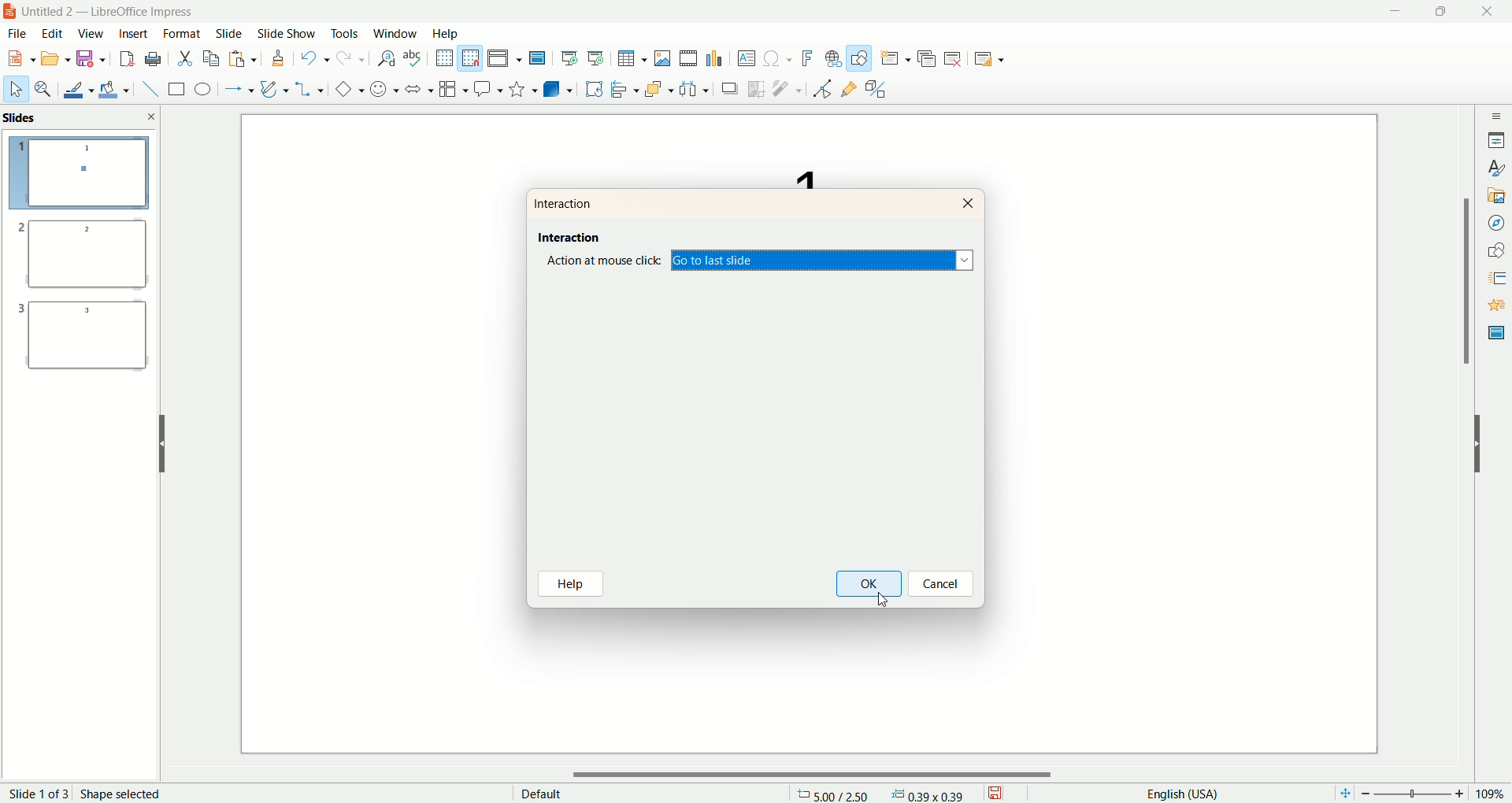  I want to click on insert image, so click(663, 57).